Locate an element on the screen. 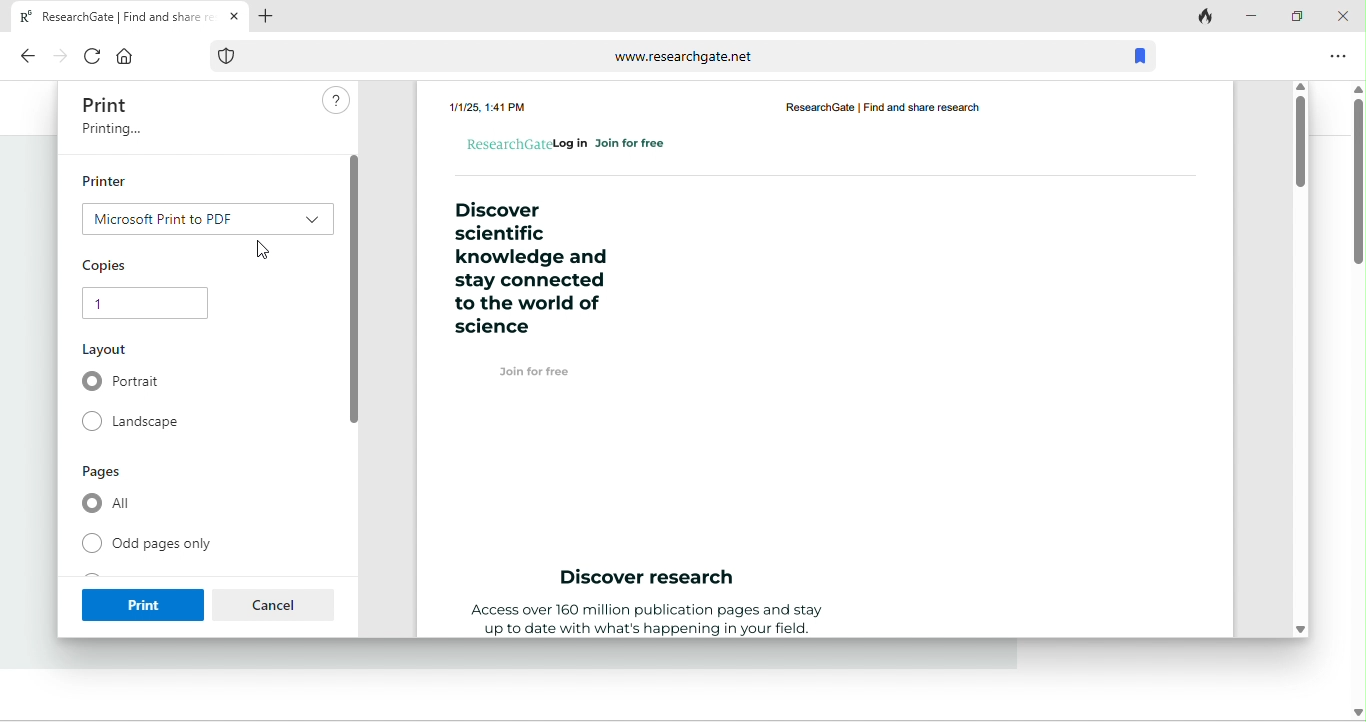  vertical scroll bar is located at coordinates (1356, 173).